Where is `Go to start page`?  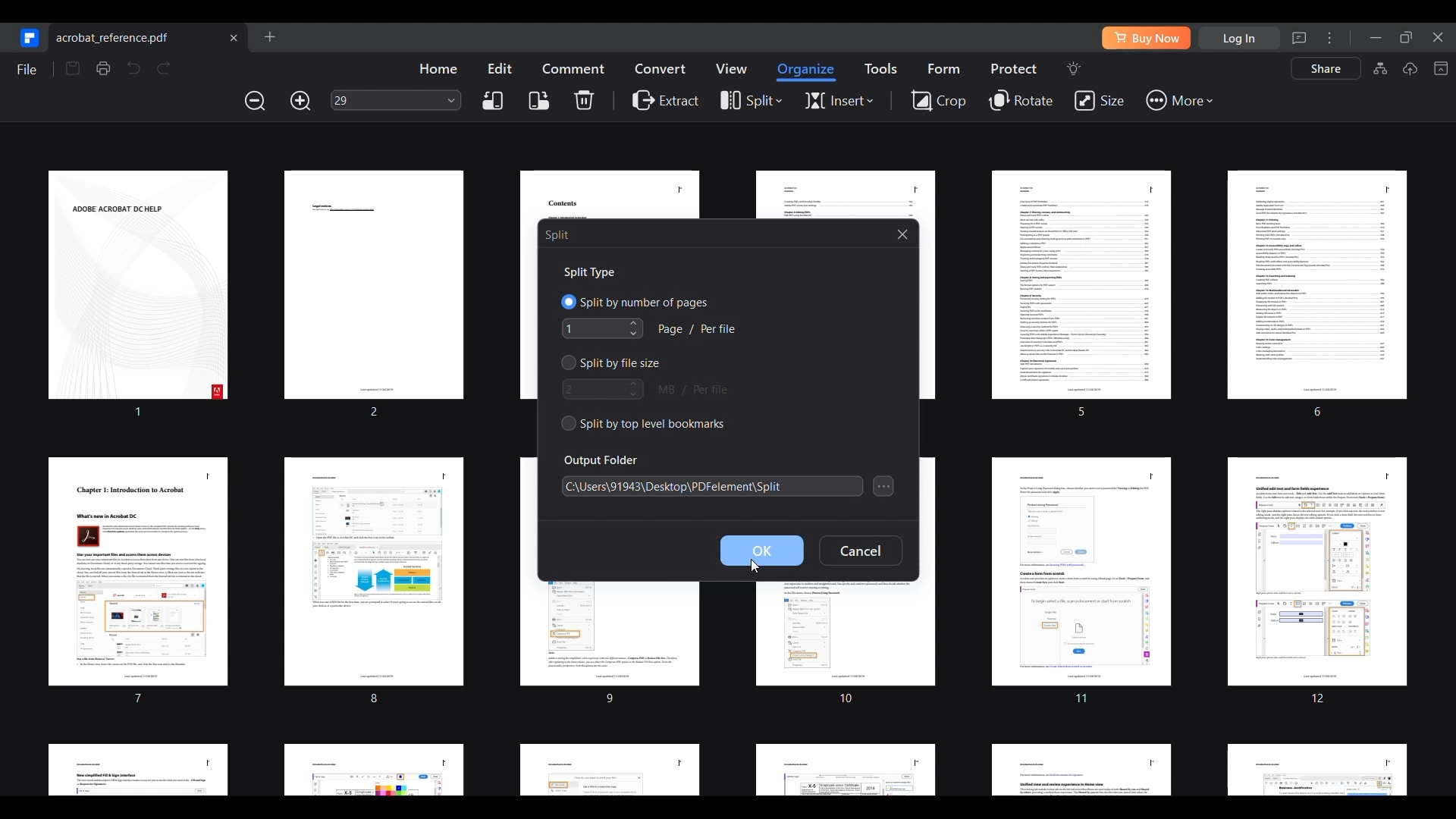
Go to start page is located at coordinates (27, 37).